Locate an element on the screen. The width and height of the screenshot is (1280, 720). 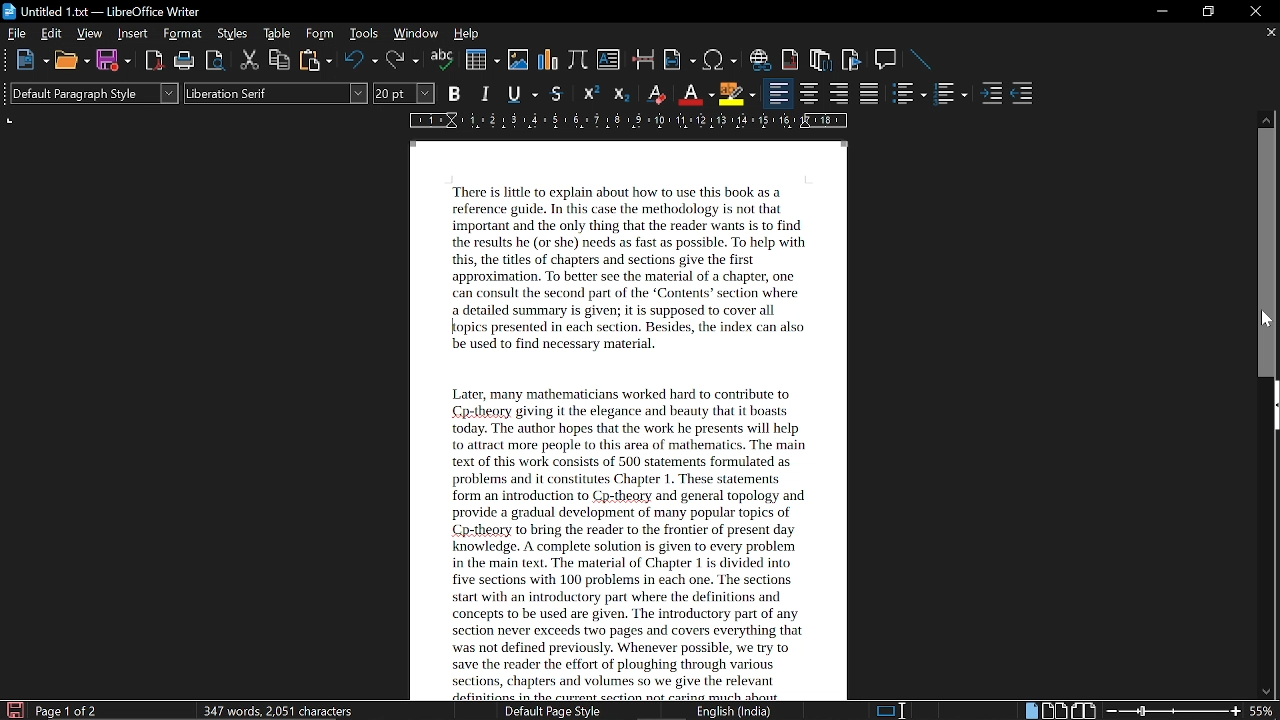
styles is located at coordinates (232, 34).